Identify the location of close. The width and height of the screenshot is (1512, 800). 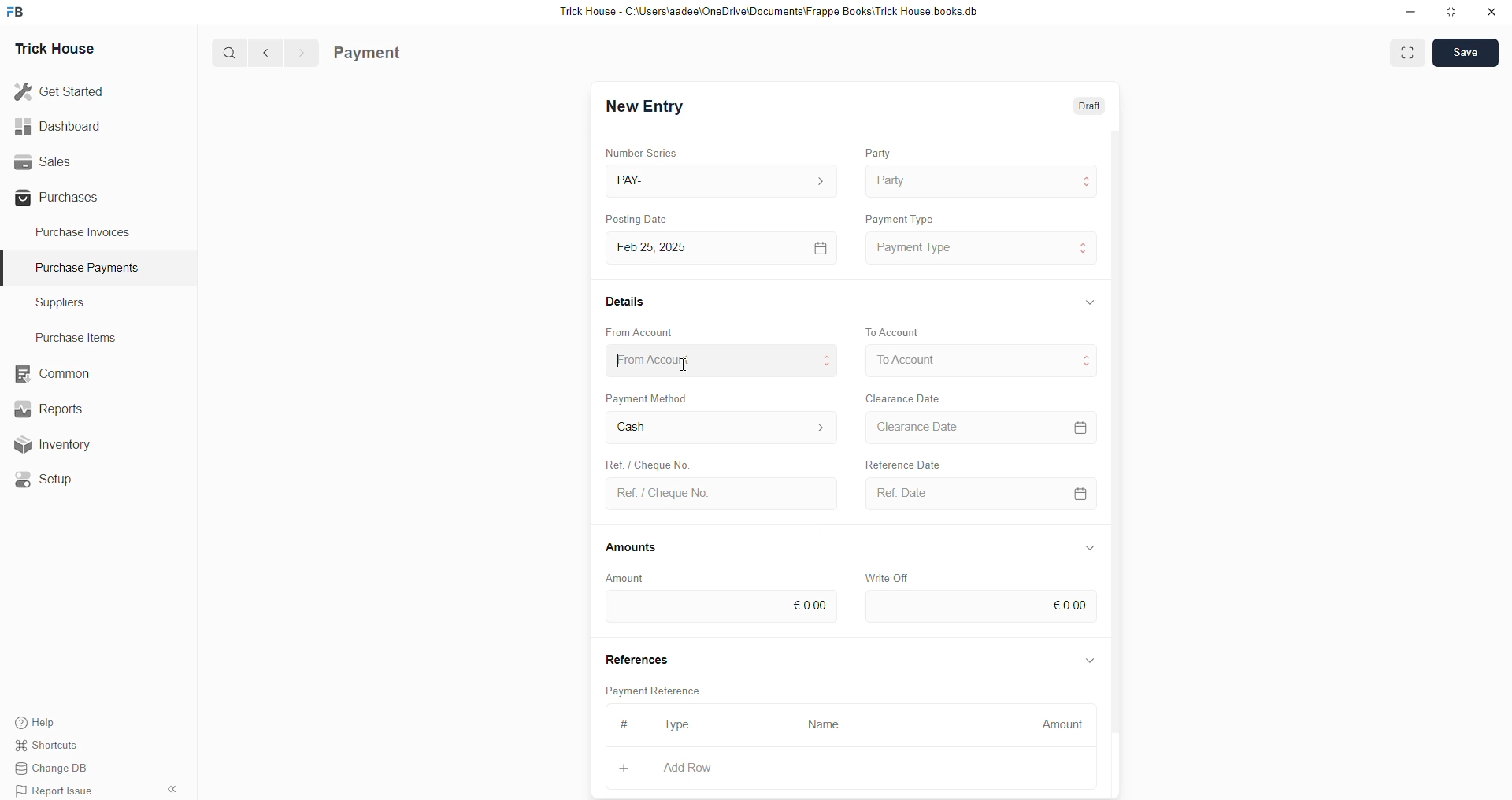
(1492, 12).